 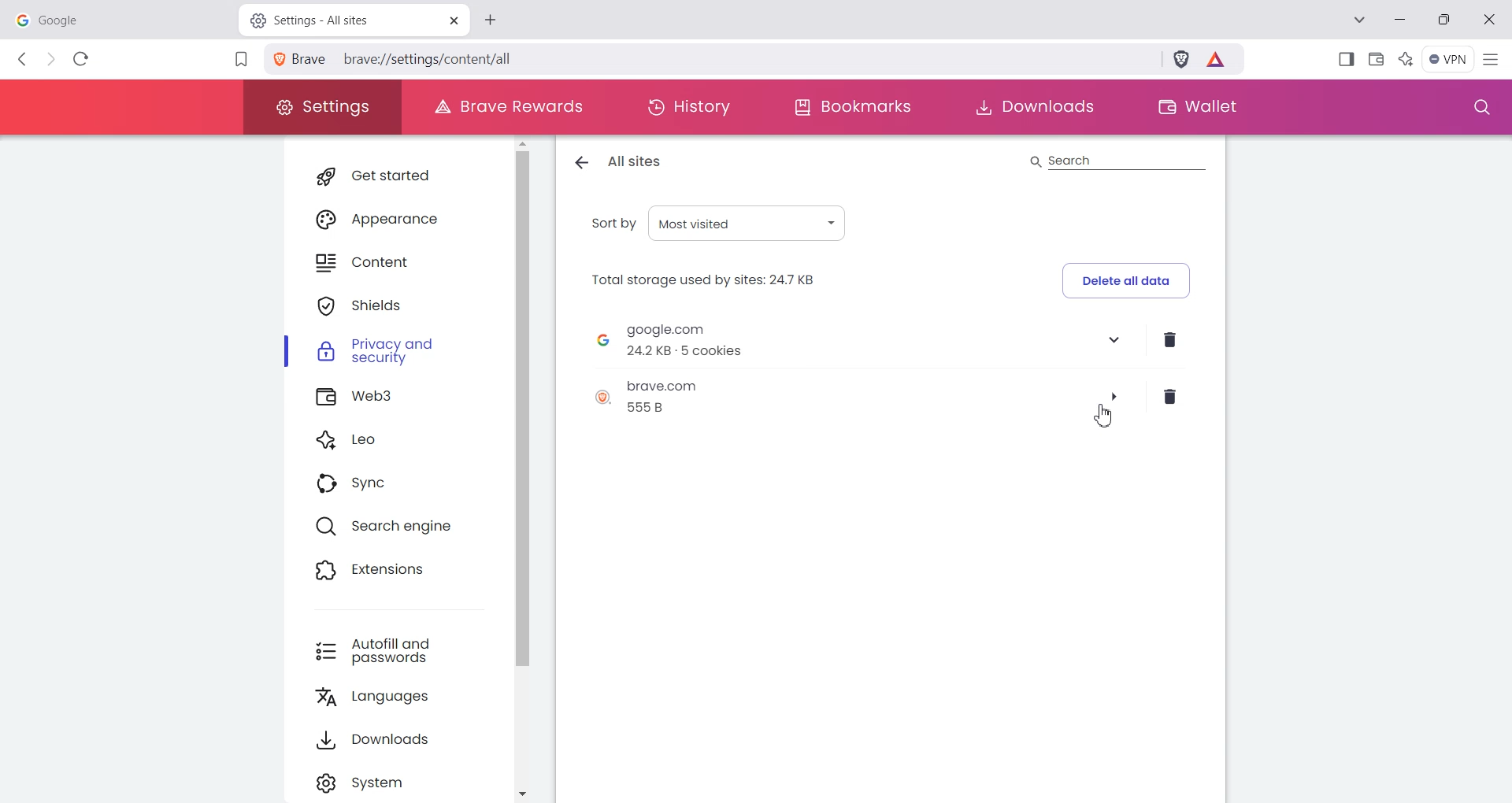 I want to click on Languages, so click(x=396, y=699).